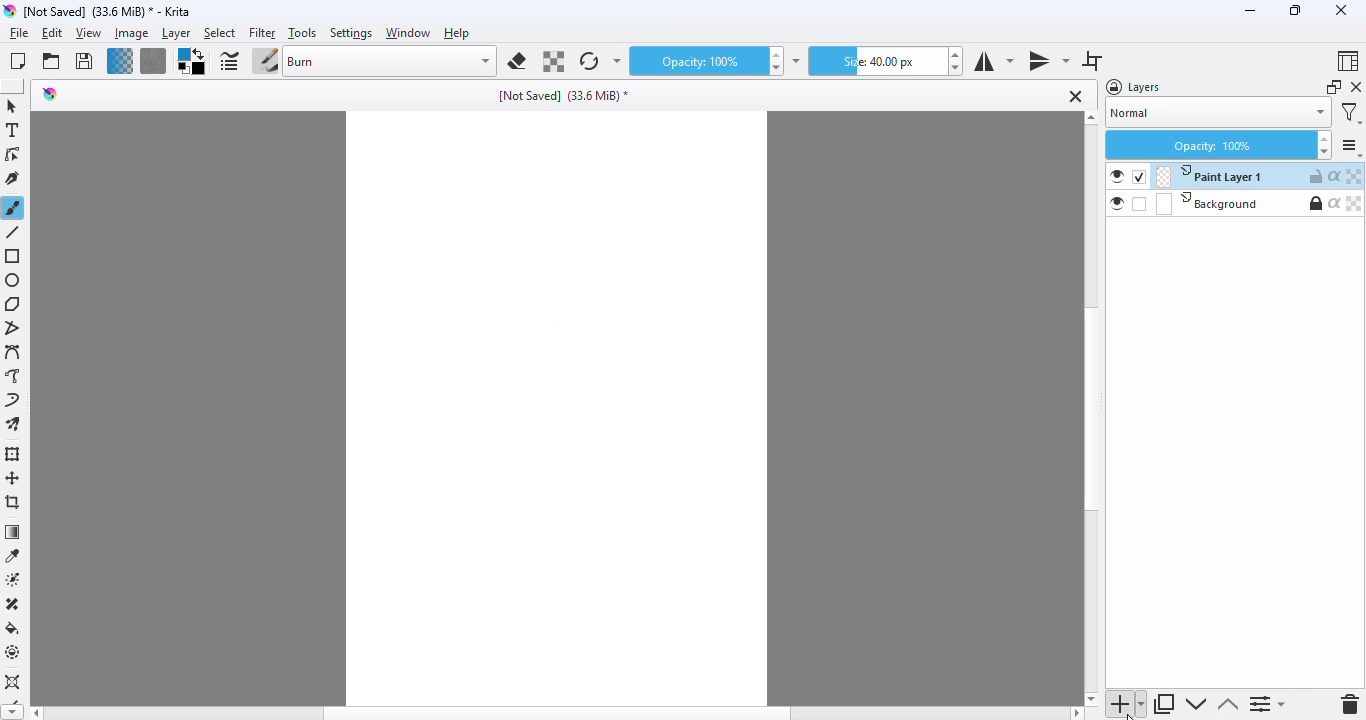 The image size is (1366, 720). Describe the element at coordinates (9, 11) in the screenshot. I see `logo` at that location.